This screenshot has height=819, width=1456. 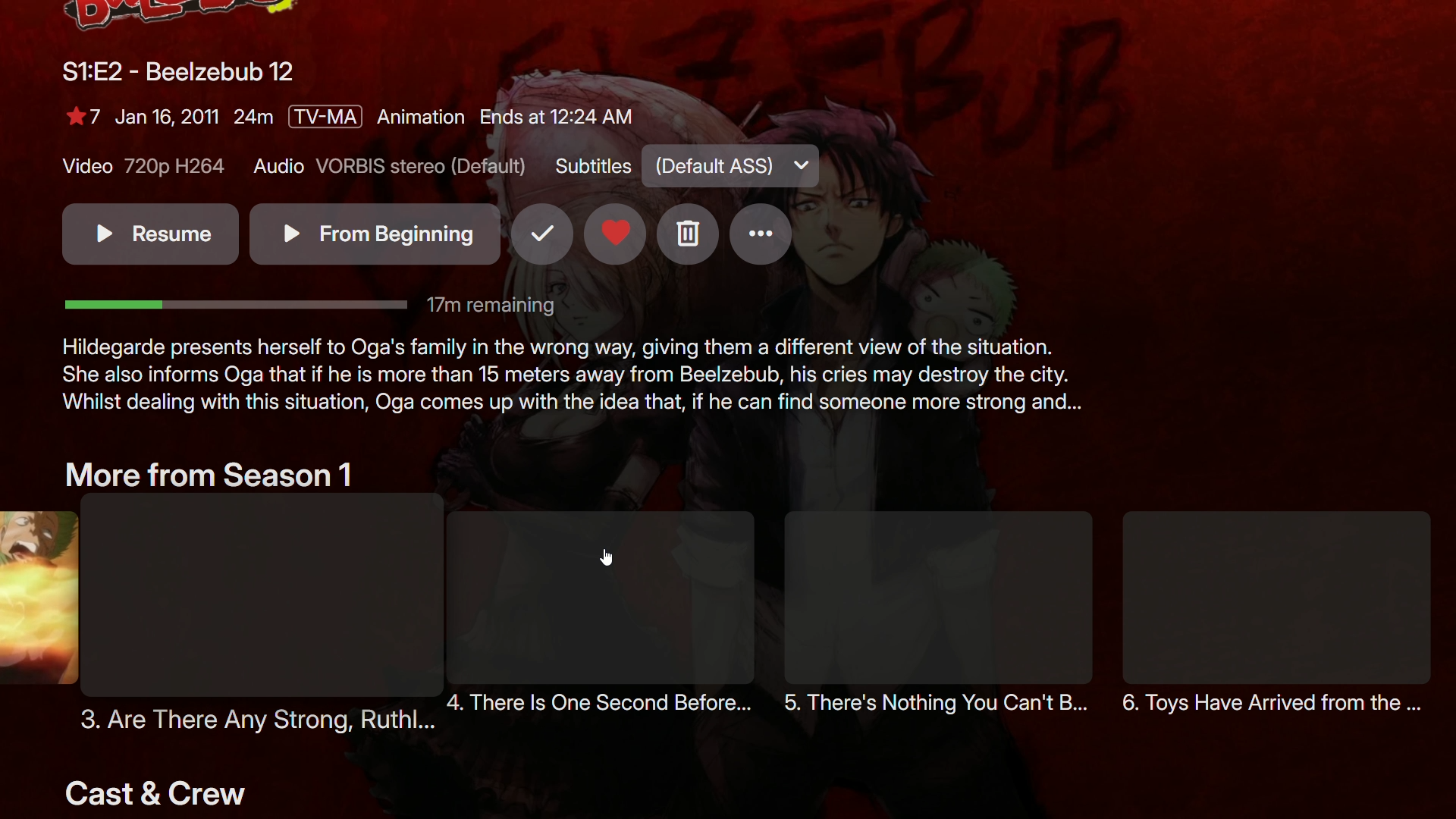 What do you see at coordinates (576, 376) in the screenshot?
I see `Show description` at bounding box center [576, 376].